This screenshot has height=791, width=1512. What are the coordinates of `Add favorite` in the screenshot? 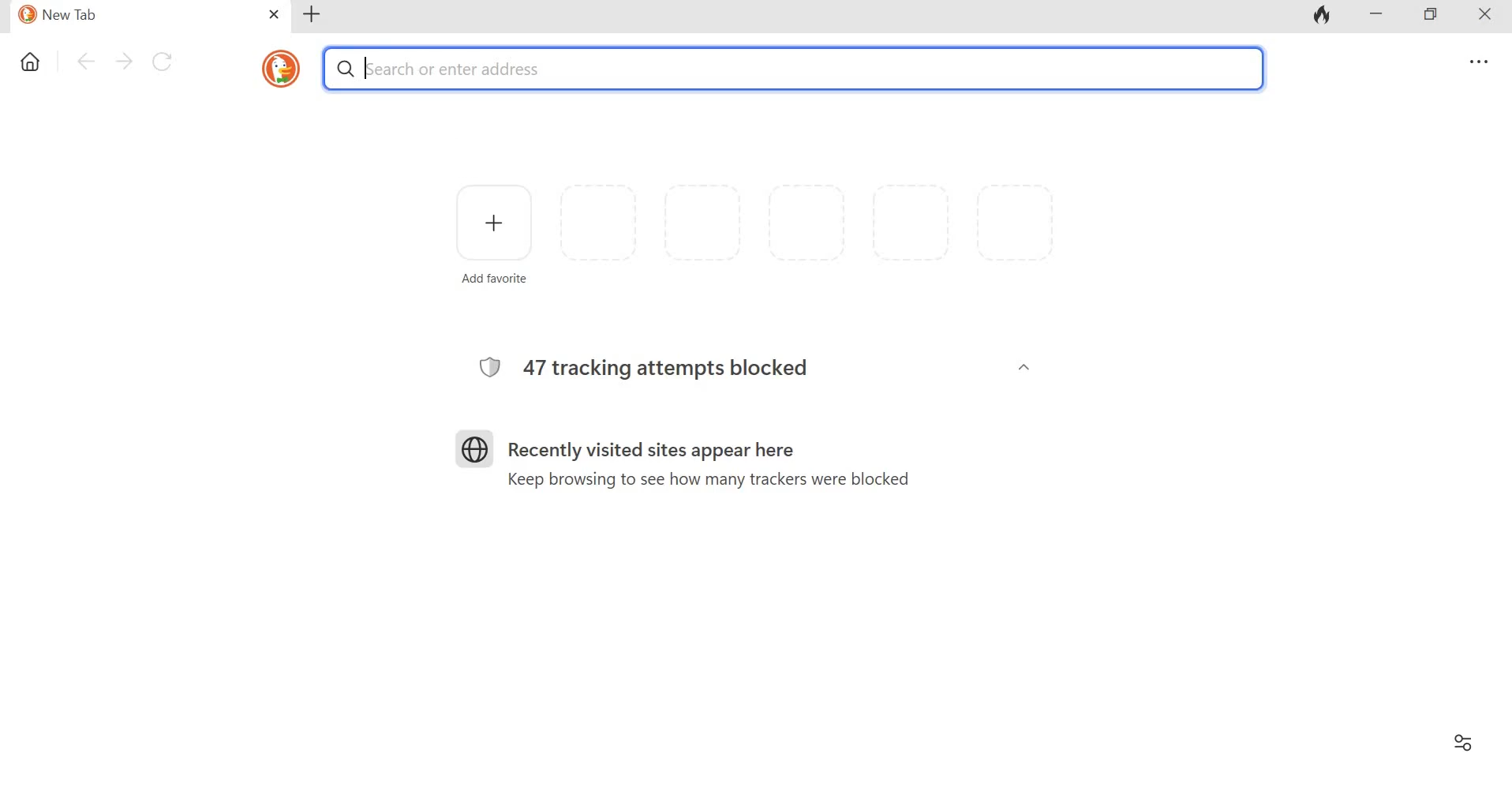 It's located at (495, 279).